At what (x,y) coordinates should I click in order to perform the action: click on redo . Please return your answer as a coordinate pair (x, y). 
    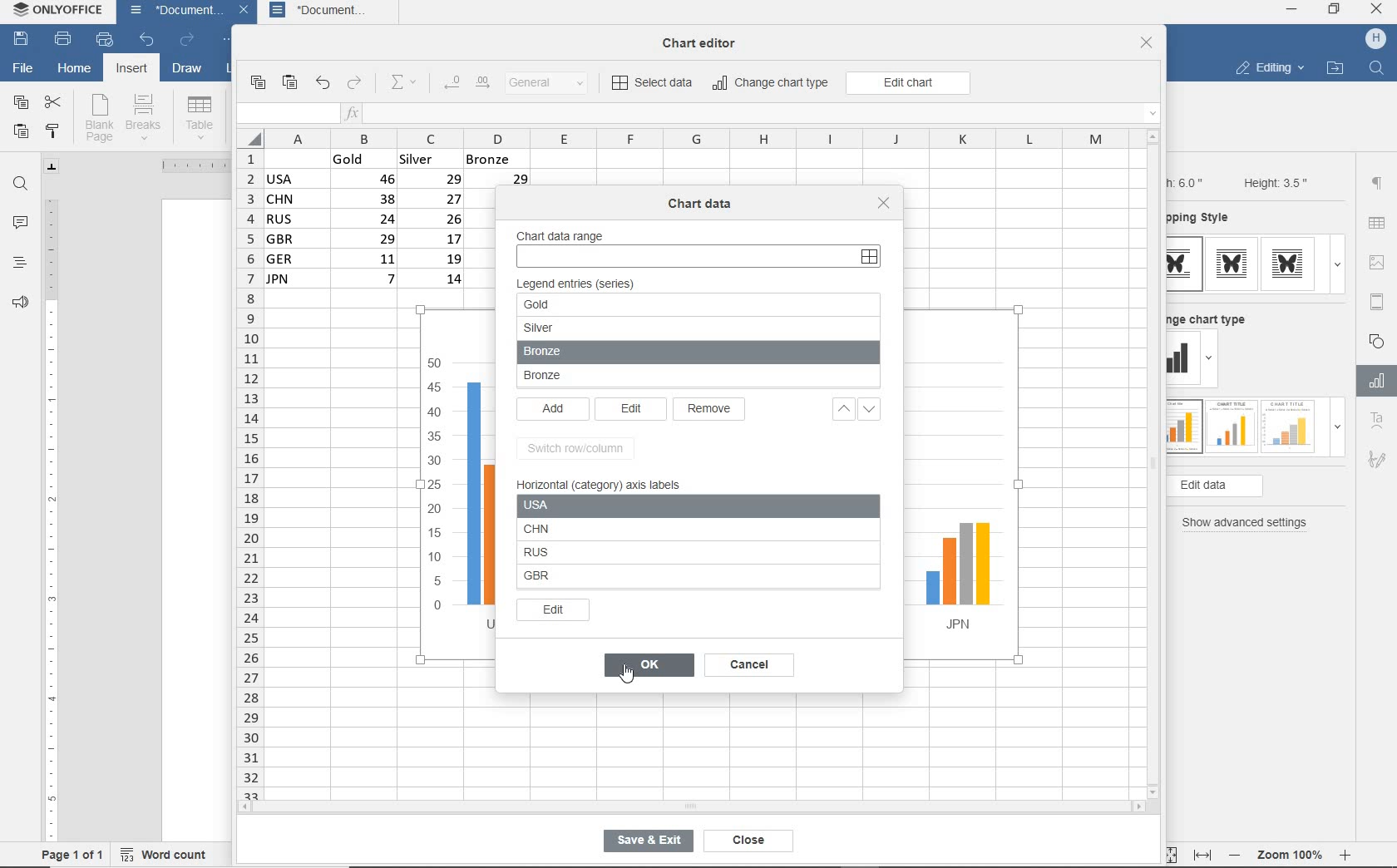
    Looking at the image, I should click on (355, 84).